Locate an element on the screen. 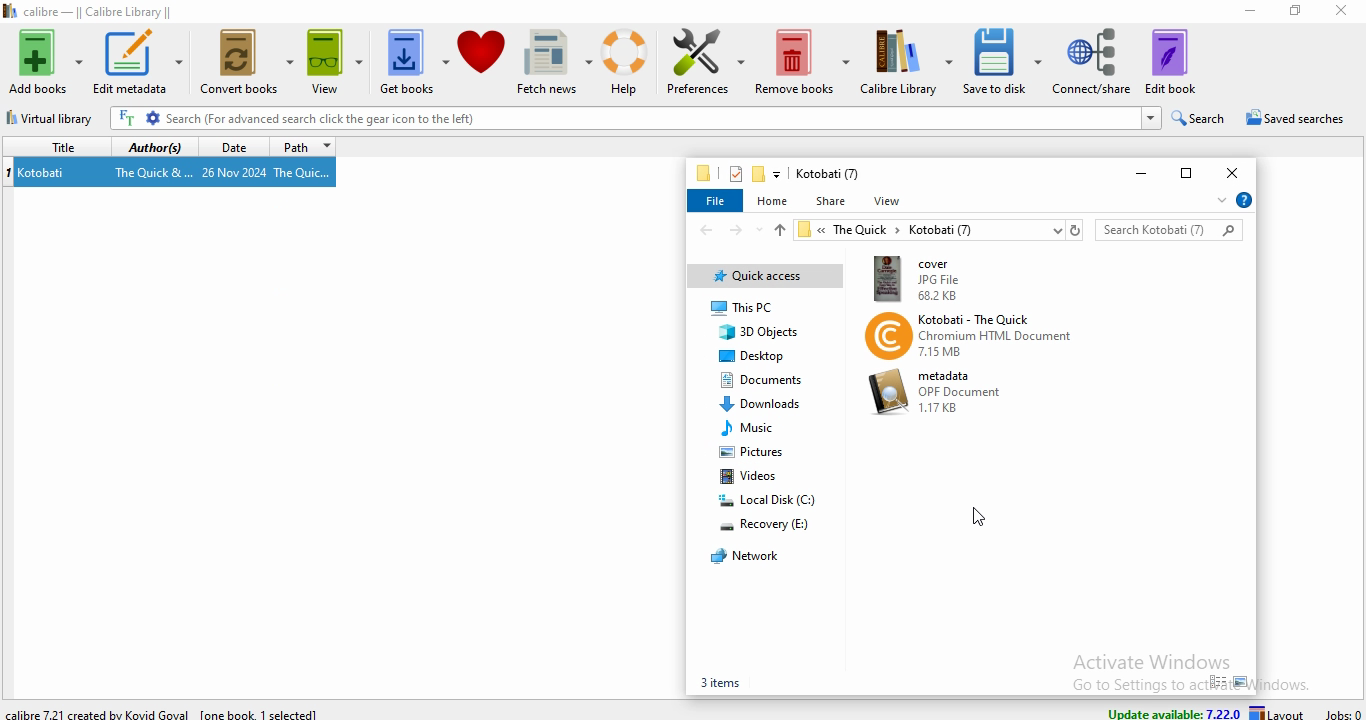 This screenshot has height=720, width=1366. 26 Nov 2024 is located at coordinates (235, 173).